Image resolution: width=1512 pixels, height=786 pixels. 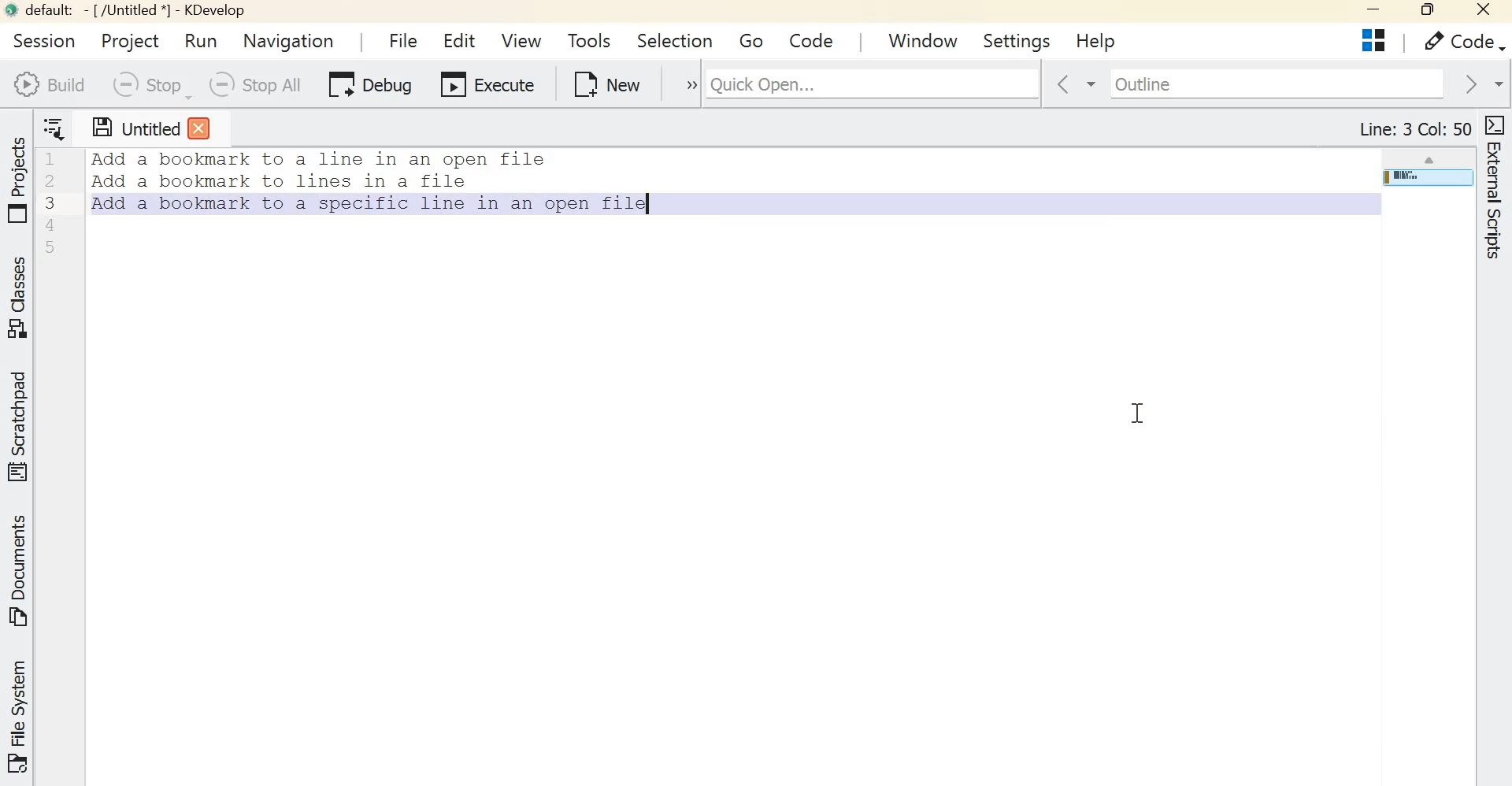 What do you see at coordinates (725, 205) in the screenshot?
I see `Text` at bounding box center [725, 205].